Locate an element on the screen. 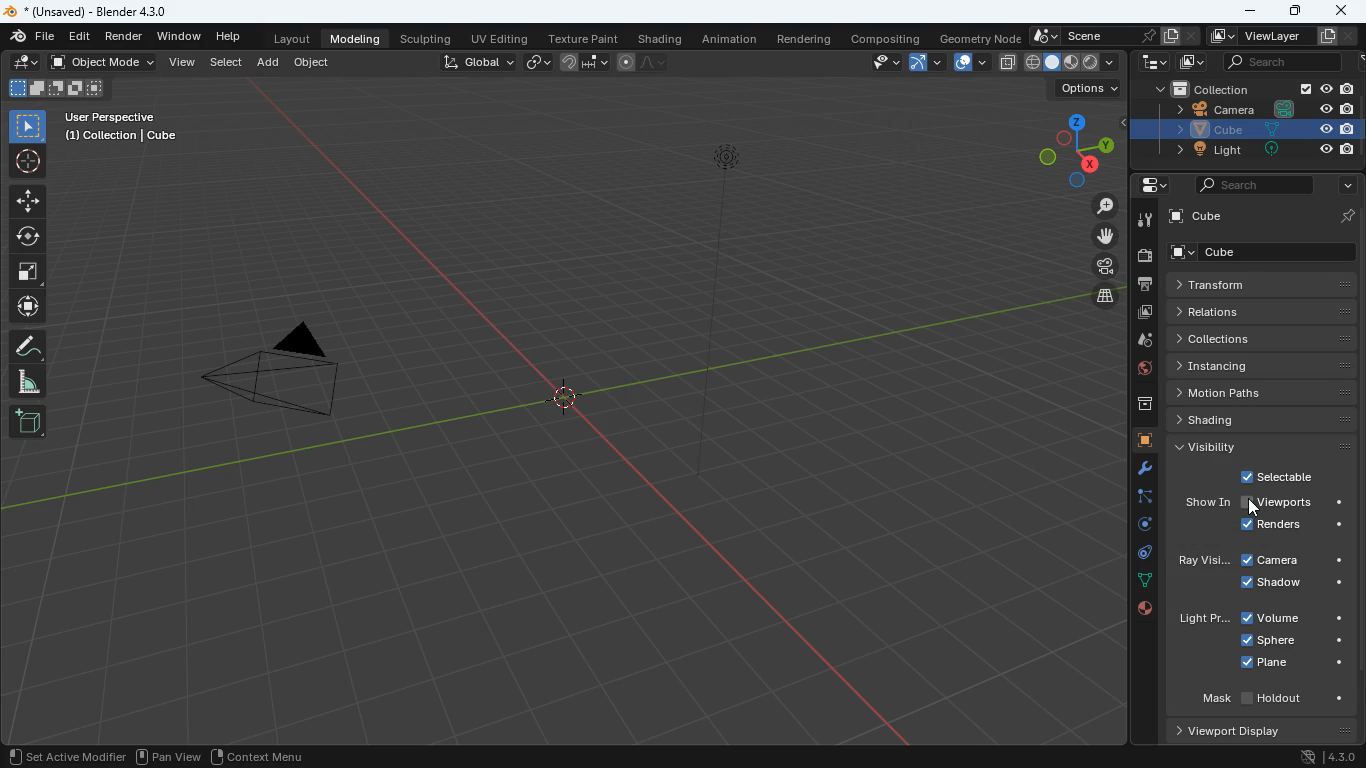  tools is located at coordinates (1137, 470).